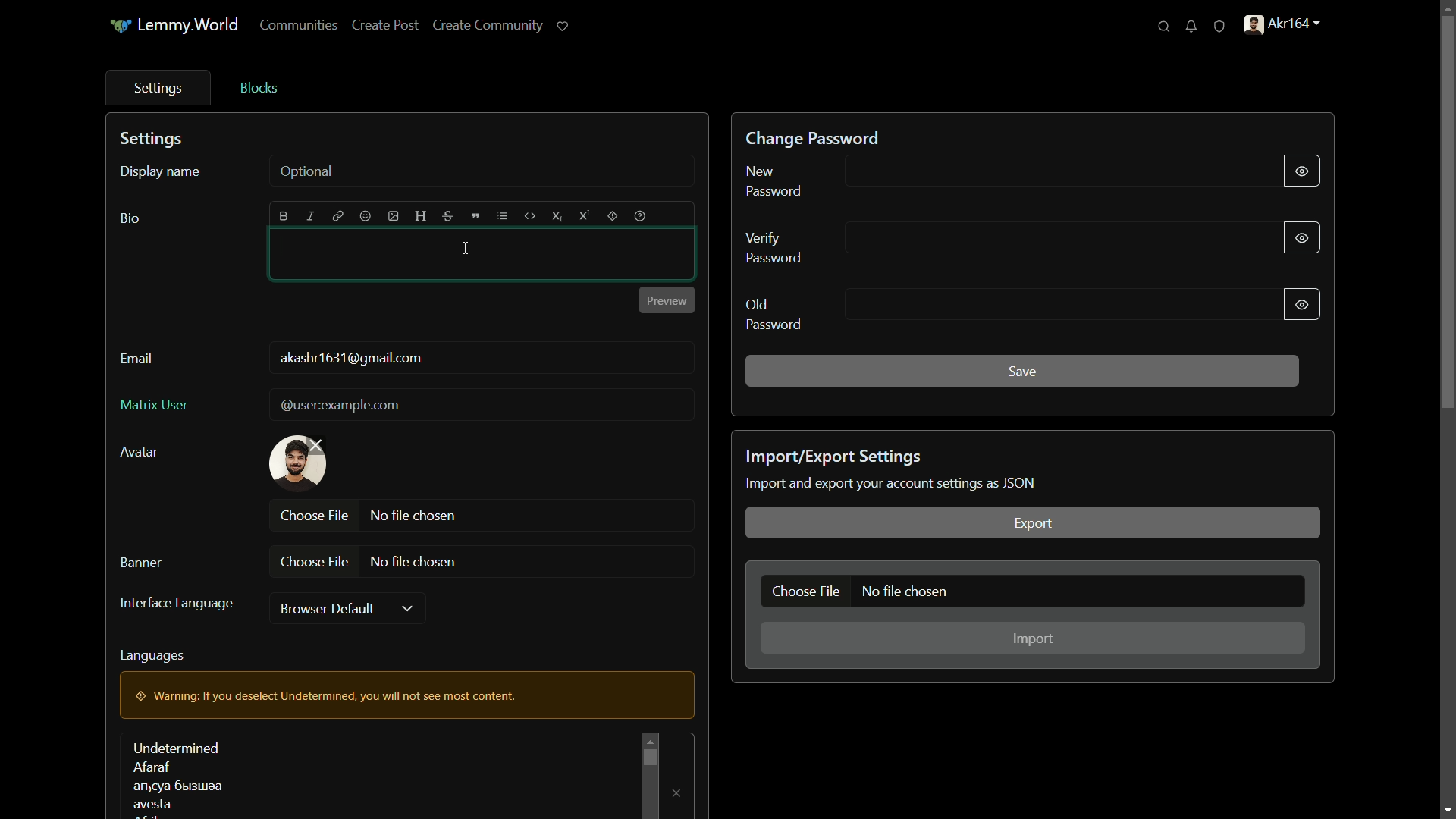 This screenshot has height=819, width=1456. Describe the element at coordinates (384, 24) in the screenshot. I see `create post` at that location.